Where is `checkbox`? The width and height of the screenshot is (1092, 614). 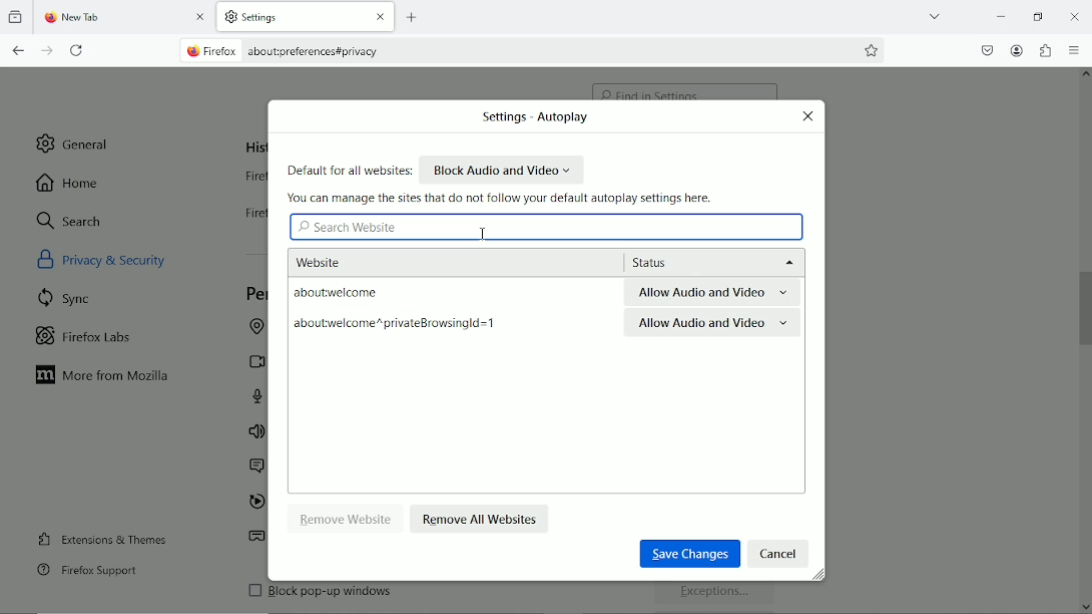 checkbox is located at coordinates (253, 590).